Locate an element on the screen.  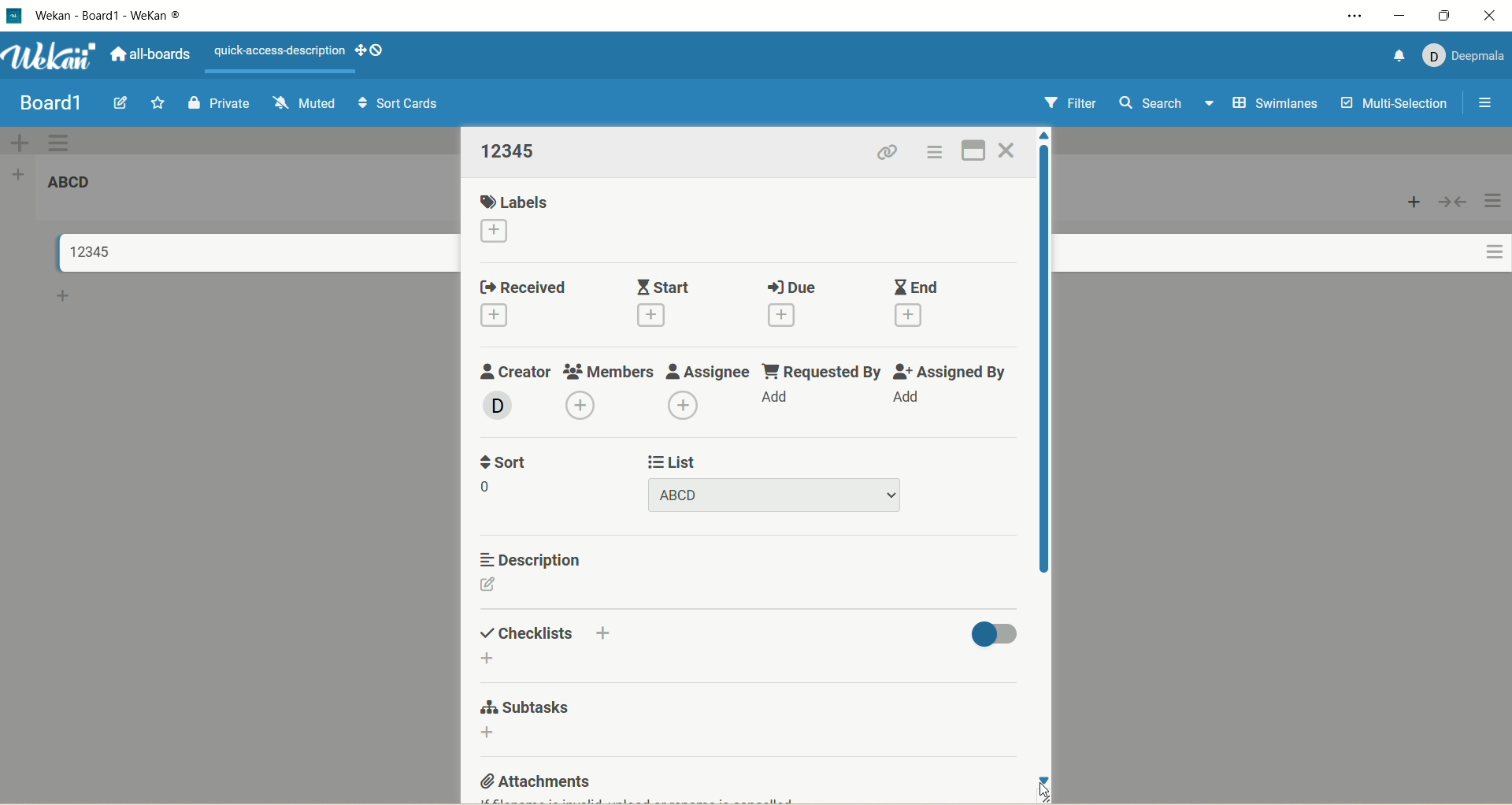
labels is located at coordinates (517, 200).